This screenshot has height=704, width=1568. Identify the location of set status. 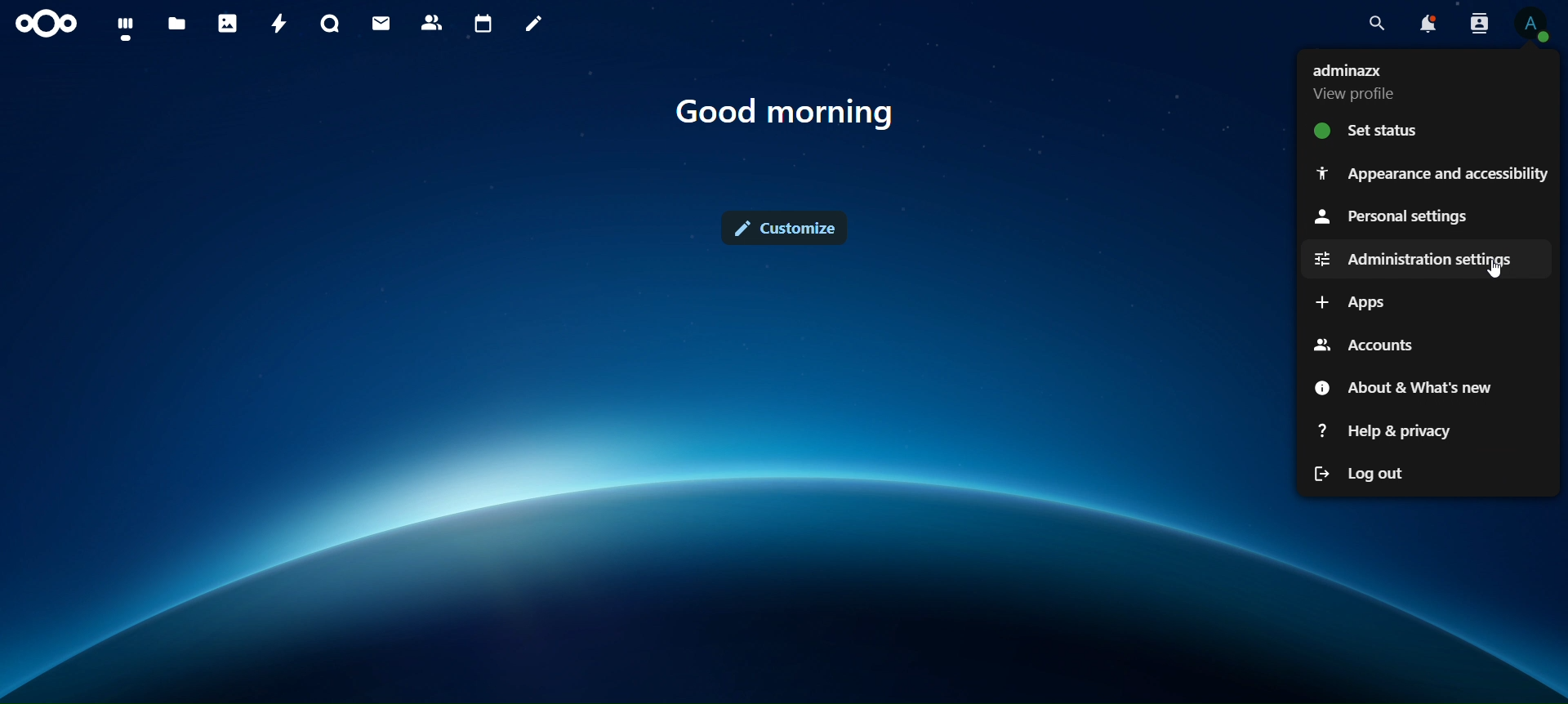
(1380, 130).